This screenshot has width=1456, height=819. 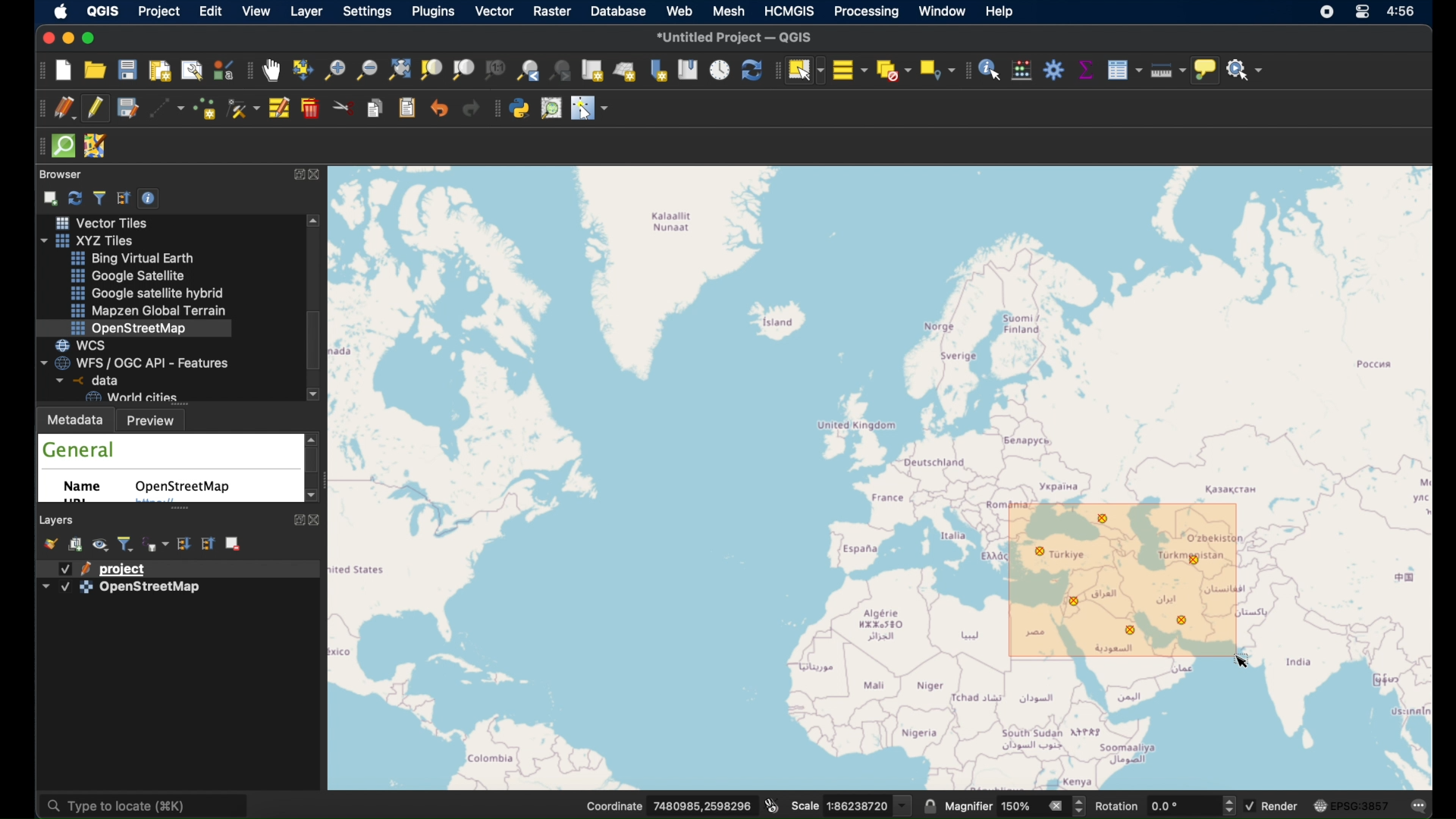 I want to click on style manager, so click(x=224, y=69).